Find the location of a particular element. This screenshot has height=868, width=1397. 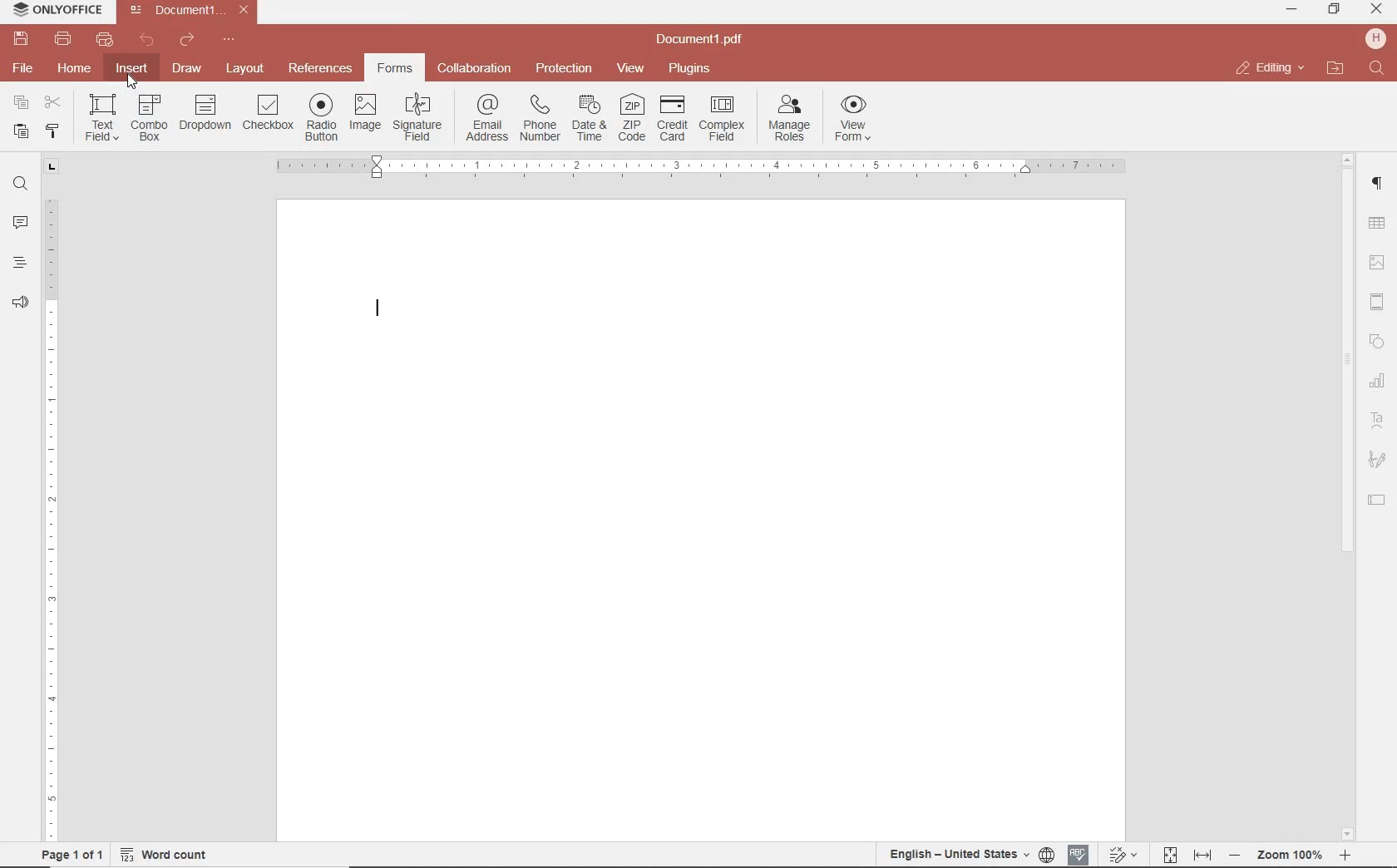

system name is located at coordinates (53, 11).